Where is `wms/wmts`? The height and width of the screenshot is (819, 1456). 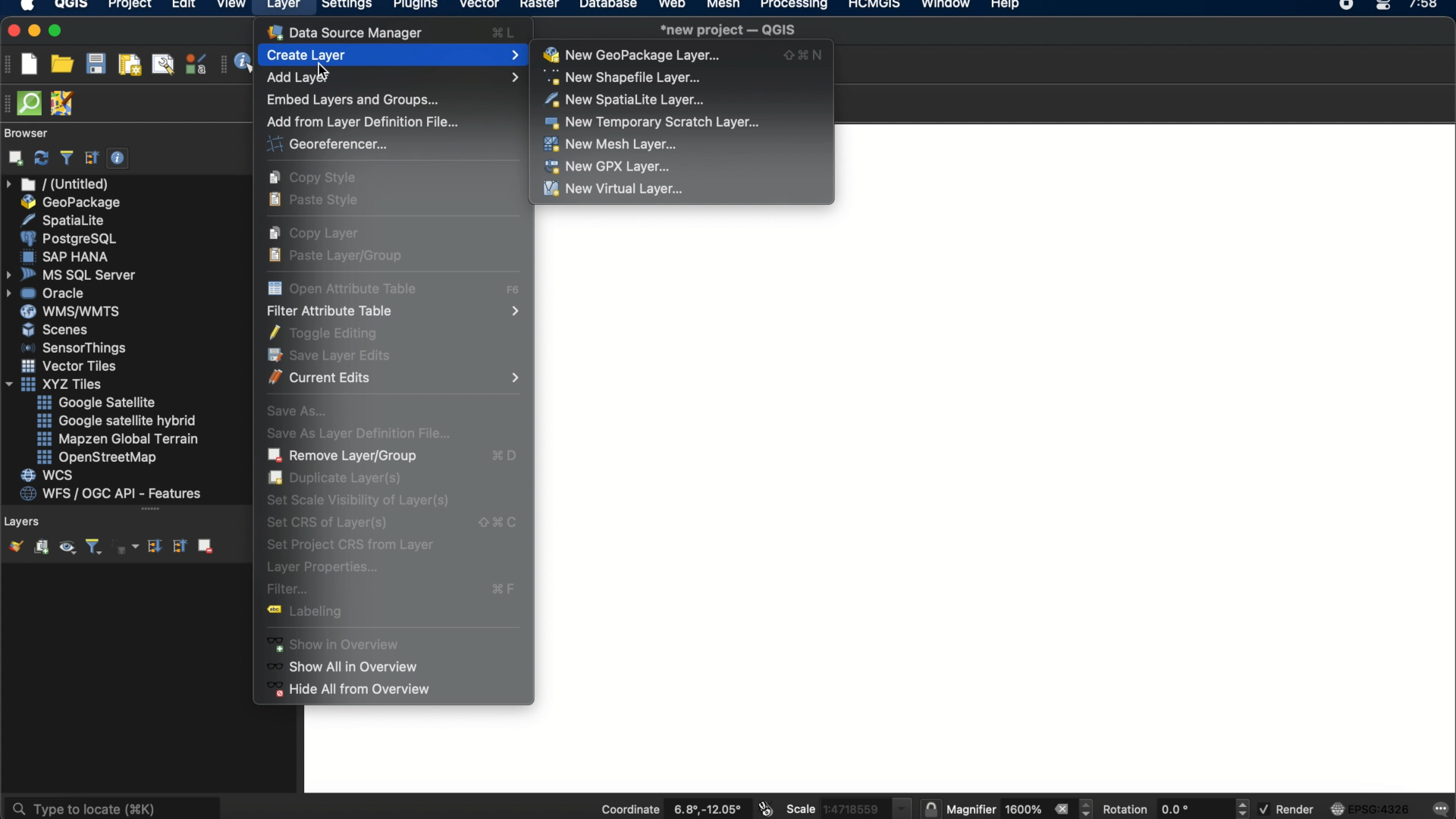
wms/wmts is located at coordinates (70, 312).